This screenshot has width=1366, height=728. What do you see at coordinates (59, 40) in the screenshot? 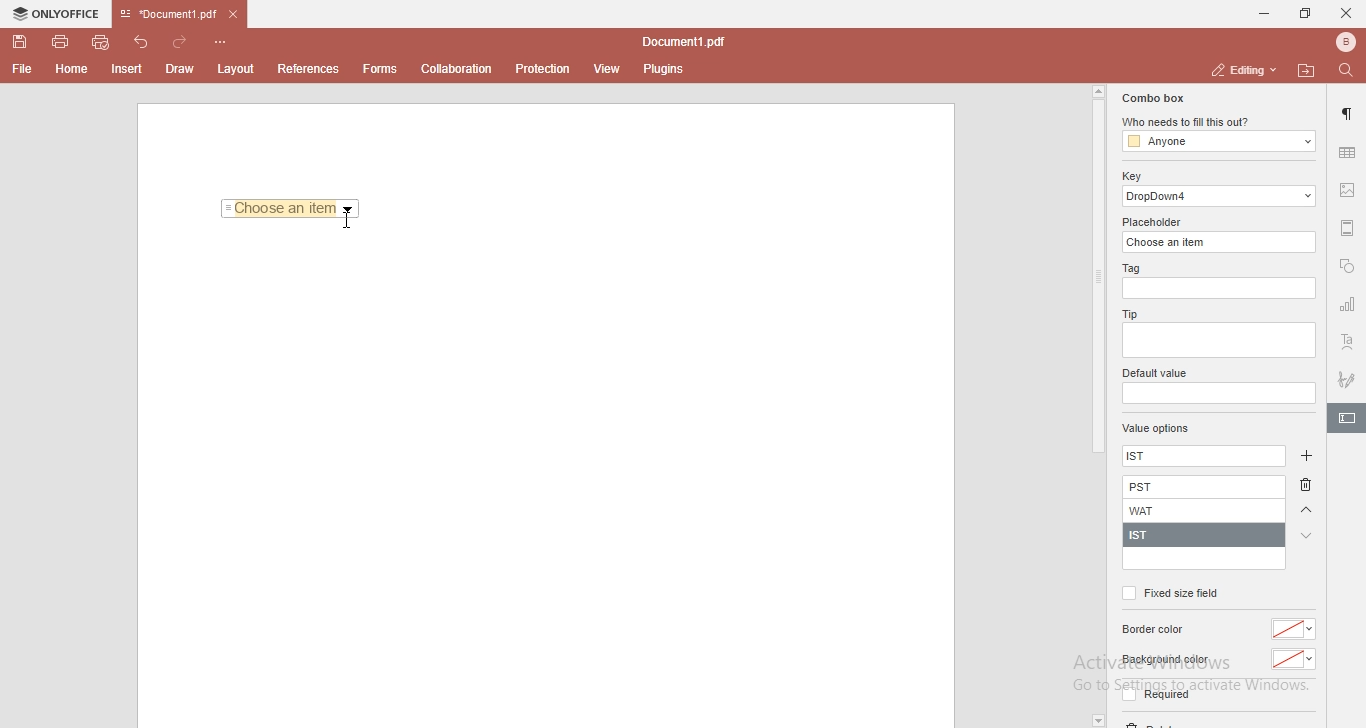
I see `print` at bounding box center [59, 40].